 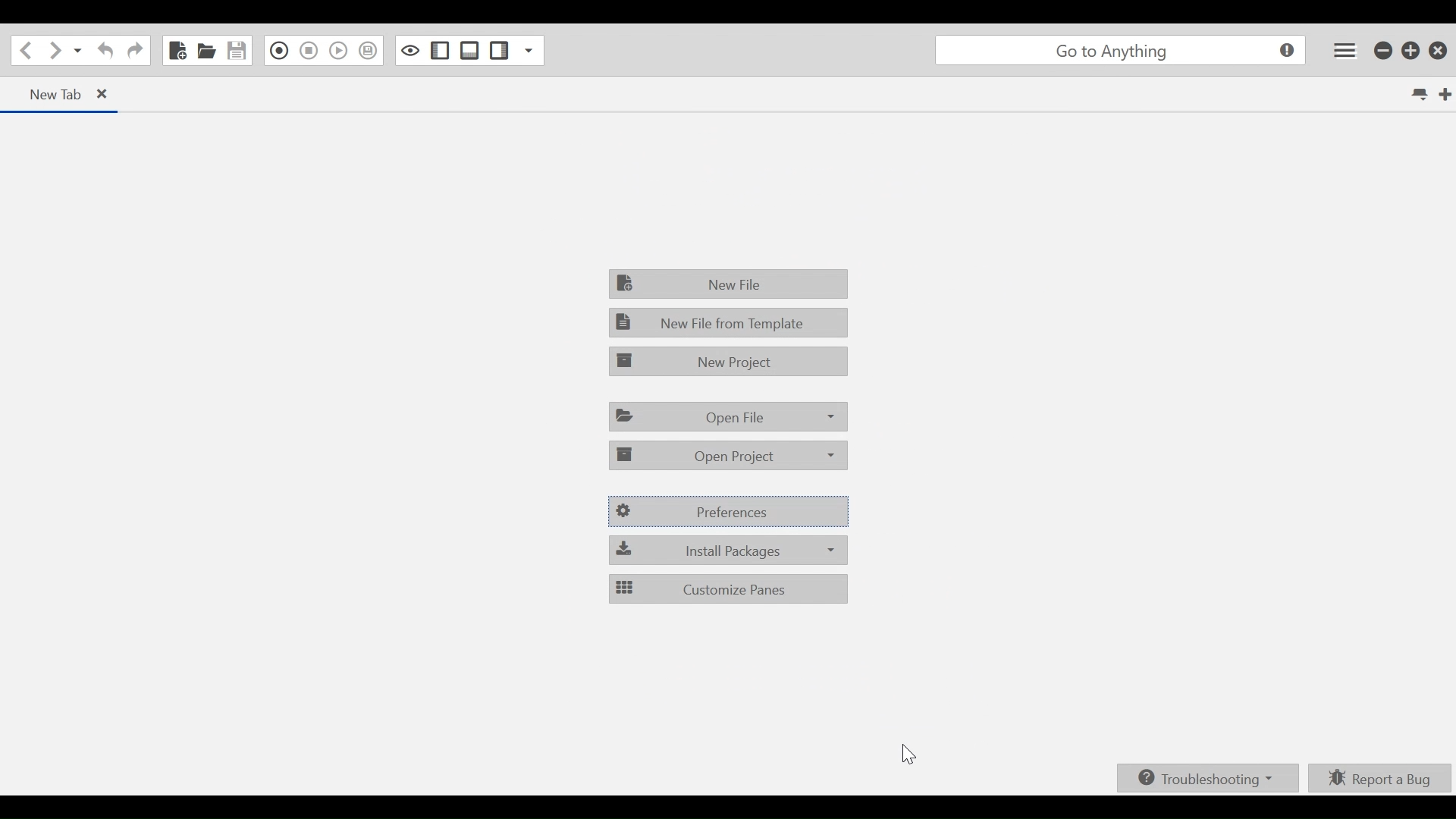 I want to click on Customize Panes, so click(x=727, y=588).